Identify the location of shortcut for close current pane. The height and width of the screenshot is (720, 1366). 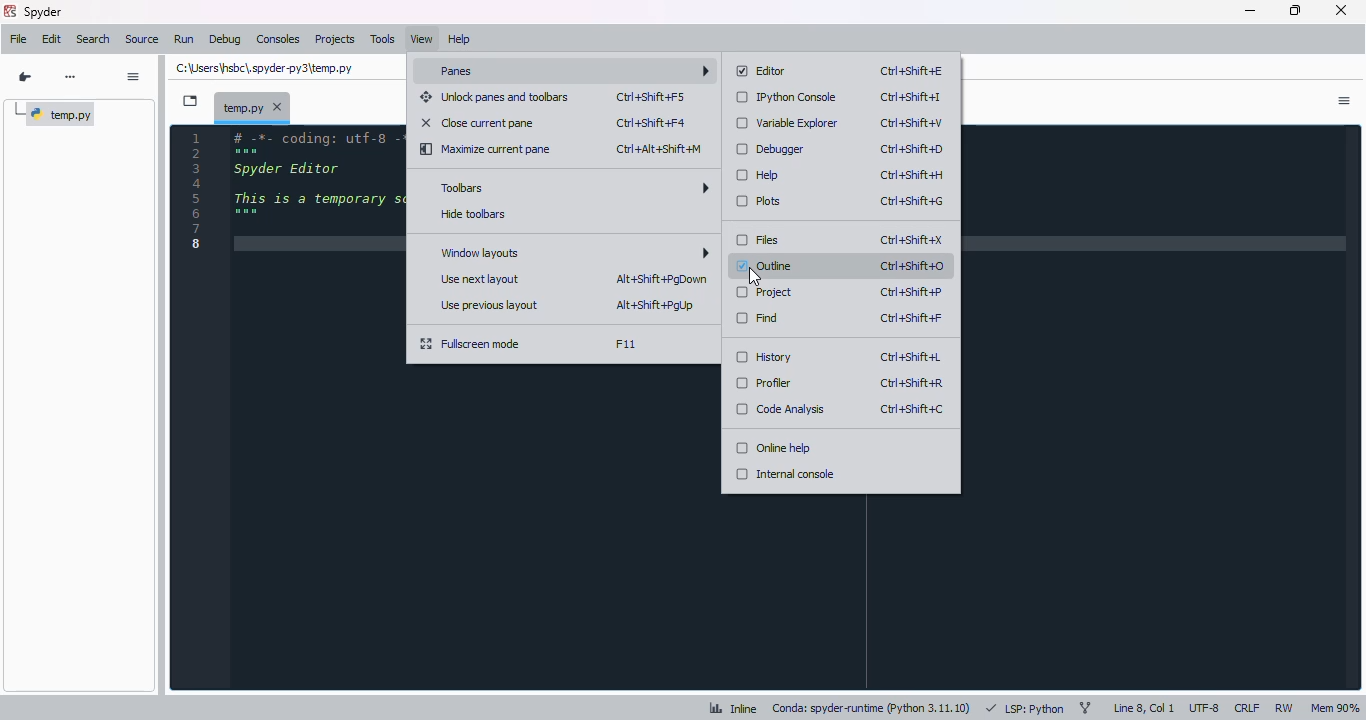
(651, 123).